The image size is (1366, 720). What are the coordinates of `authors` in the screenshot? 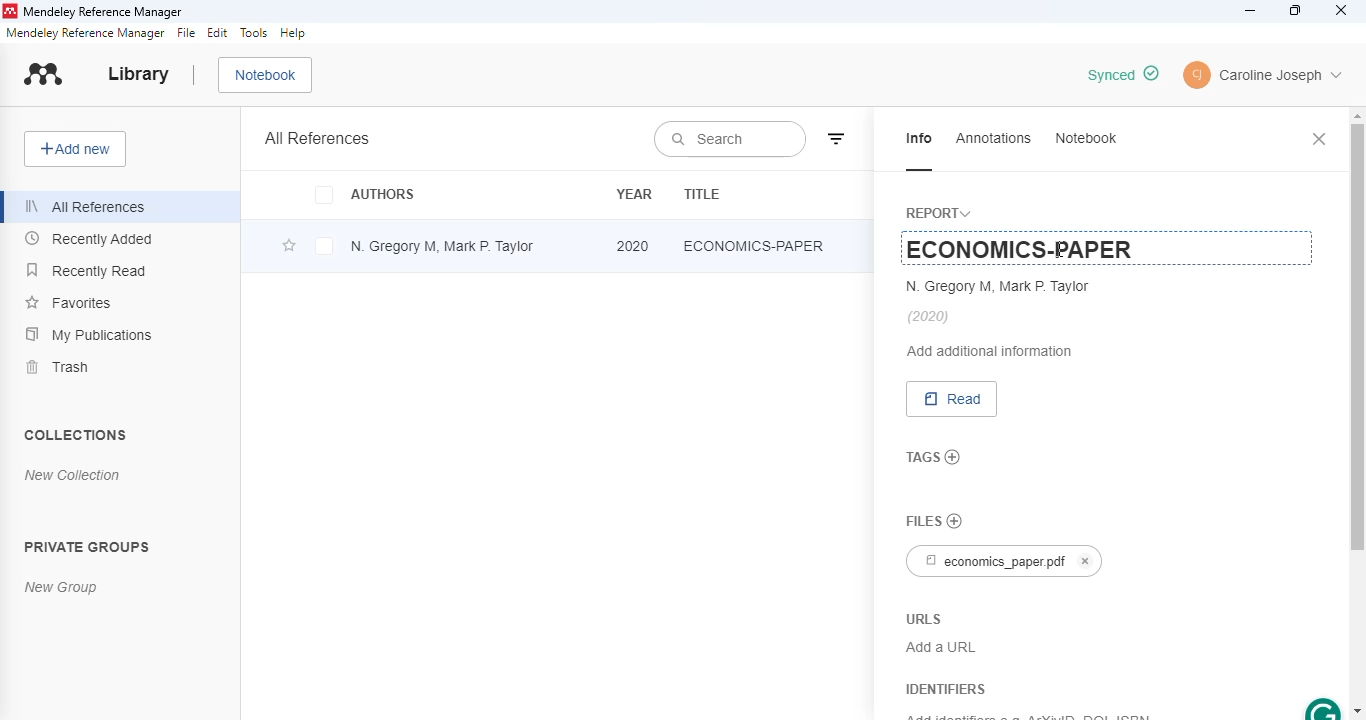 It's located at (363, 194).